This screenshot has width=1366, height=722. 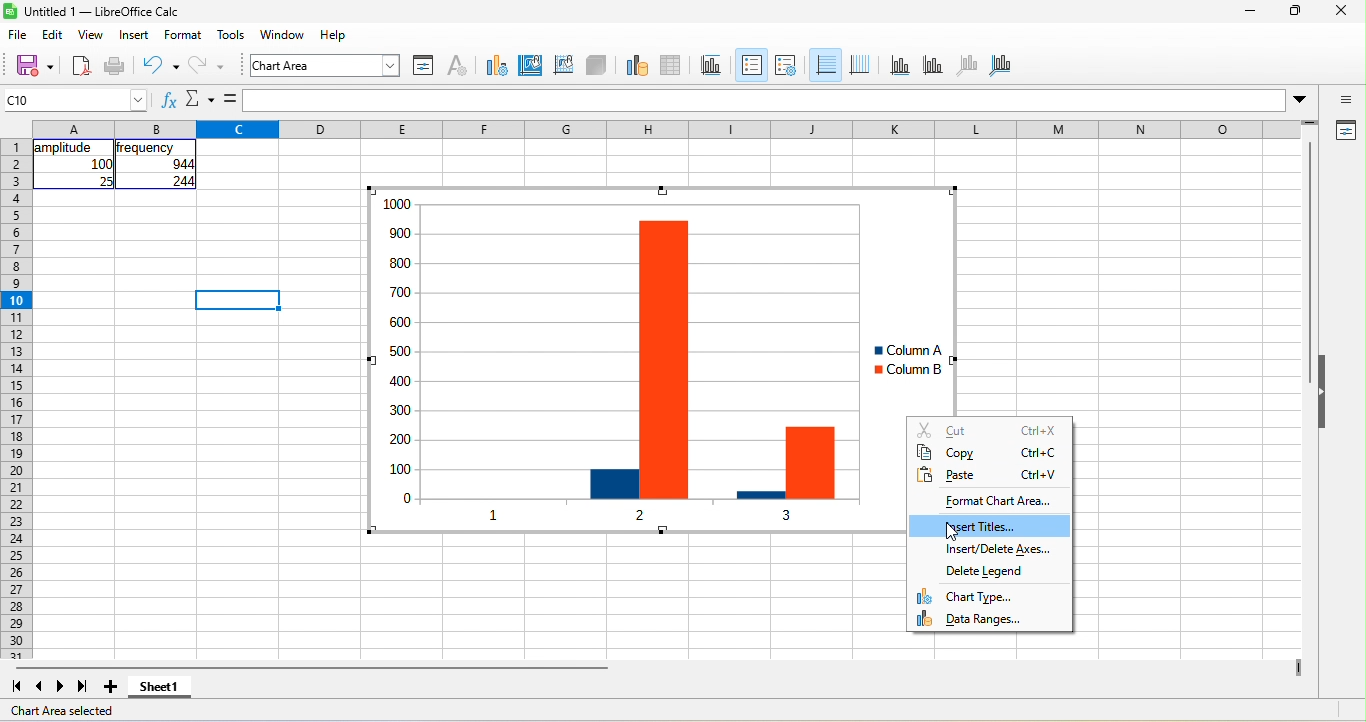 I want to click on frequency, so click(x=145, y=148).